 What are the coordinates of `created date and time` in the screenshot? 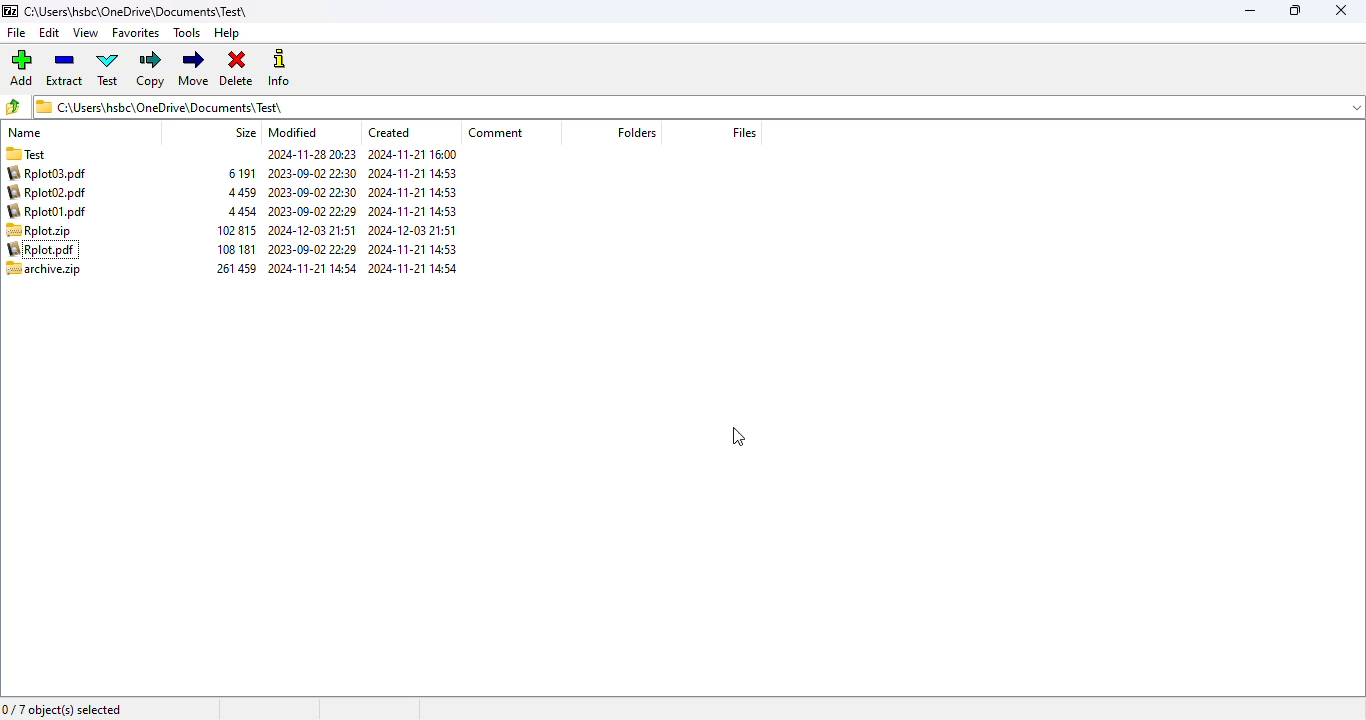 It's located at (413, 184).